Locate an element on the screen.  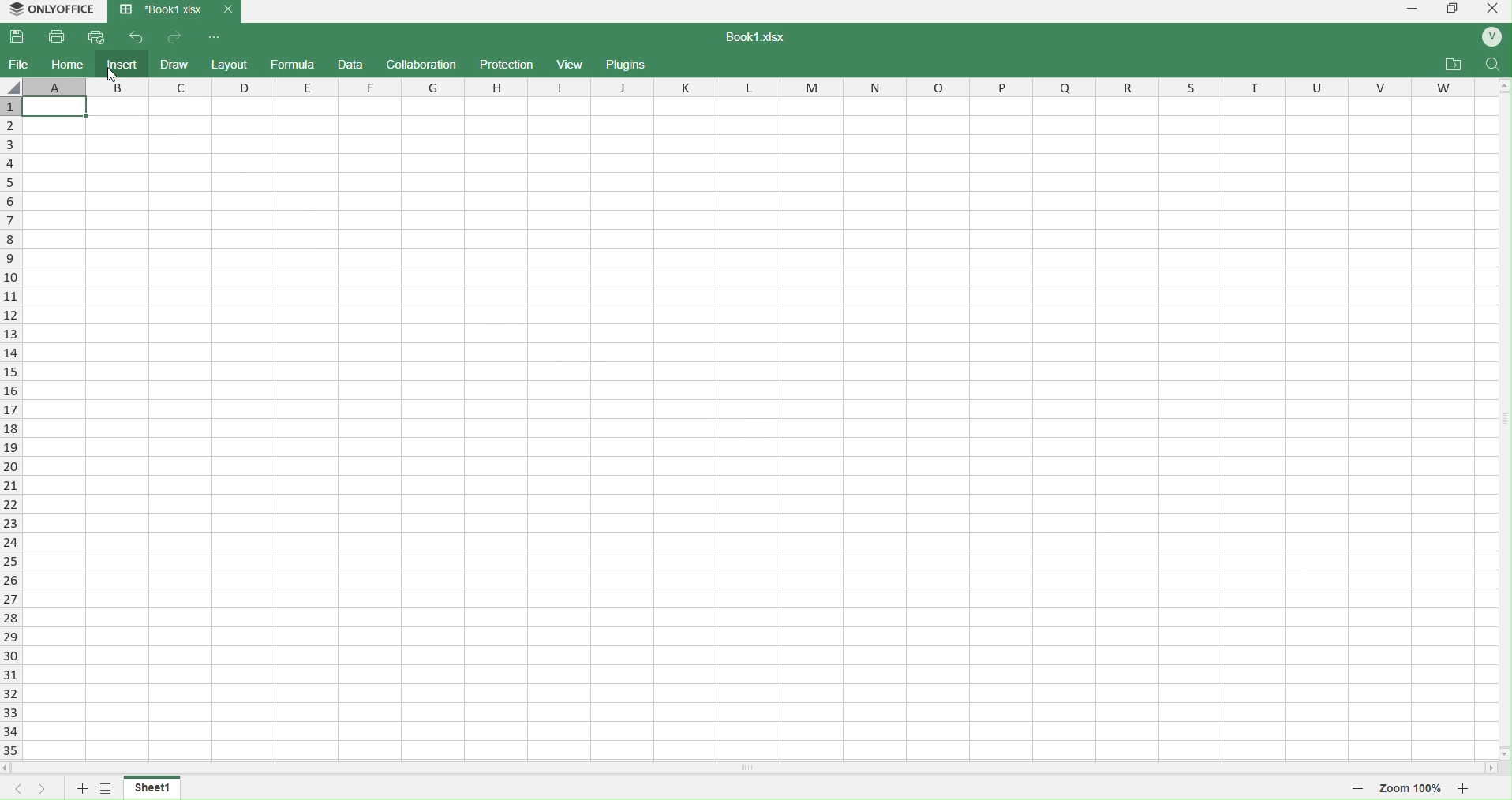
quick print is located at coordinates (99, 36).